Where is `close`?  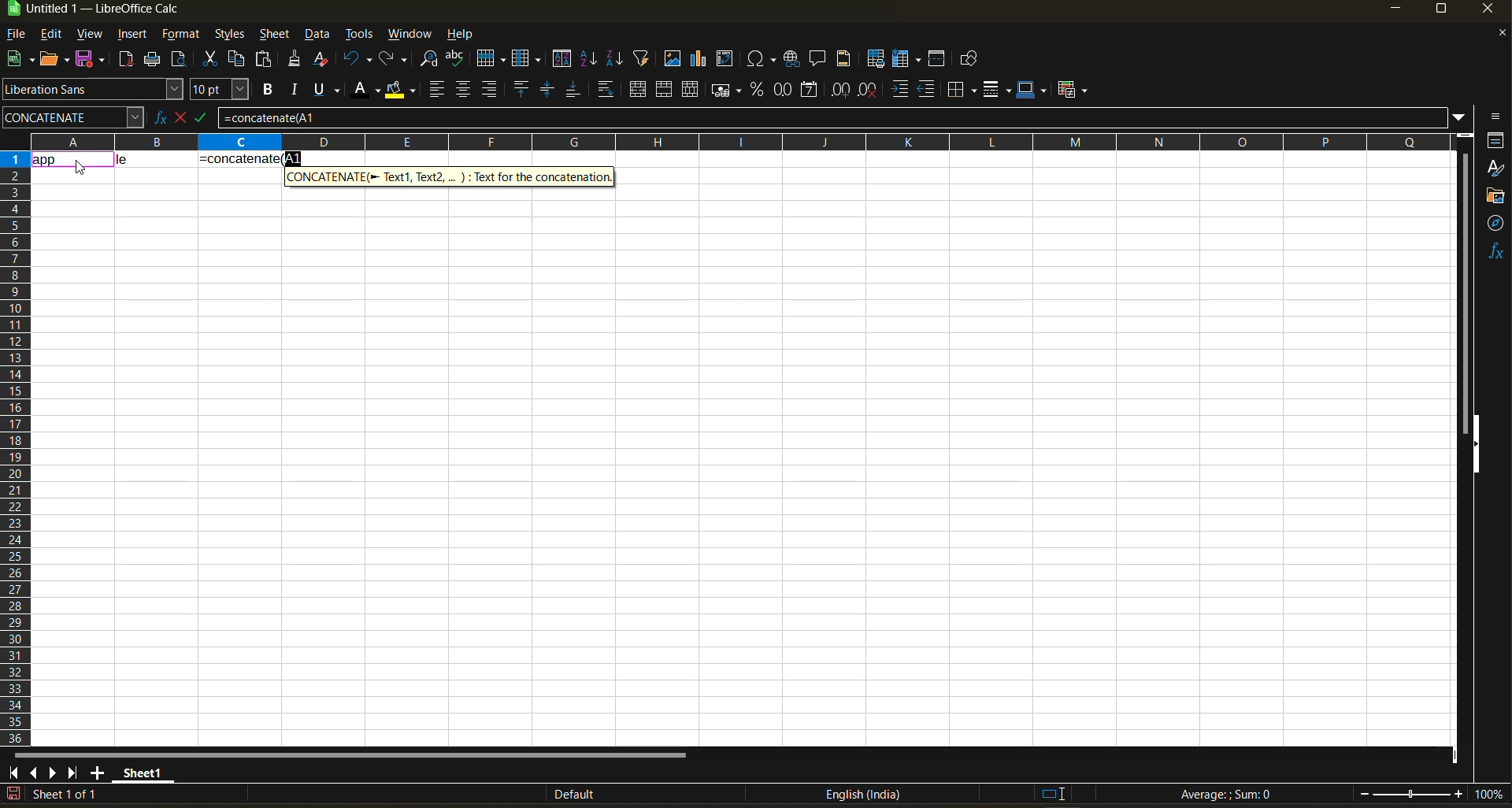 close is located at coordinates (1492, 12).